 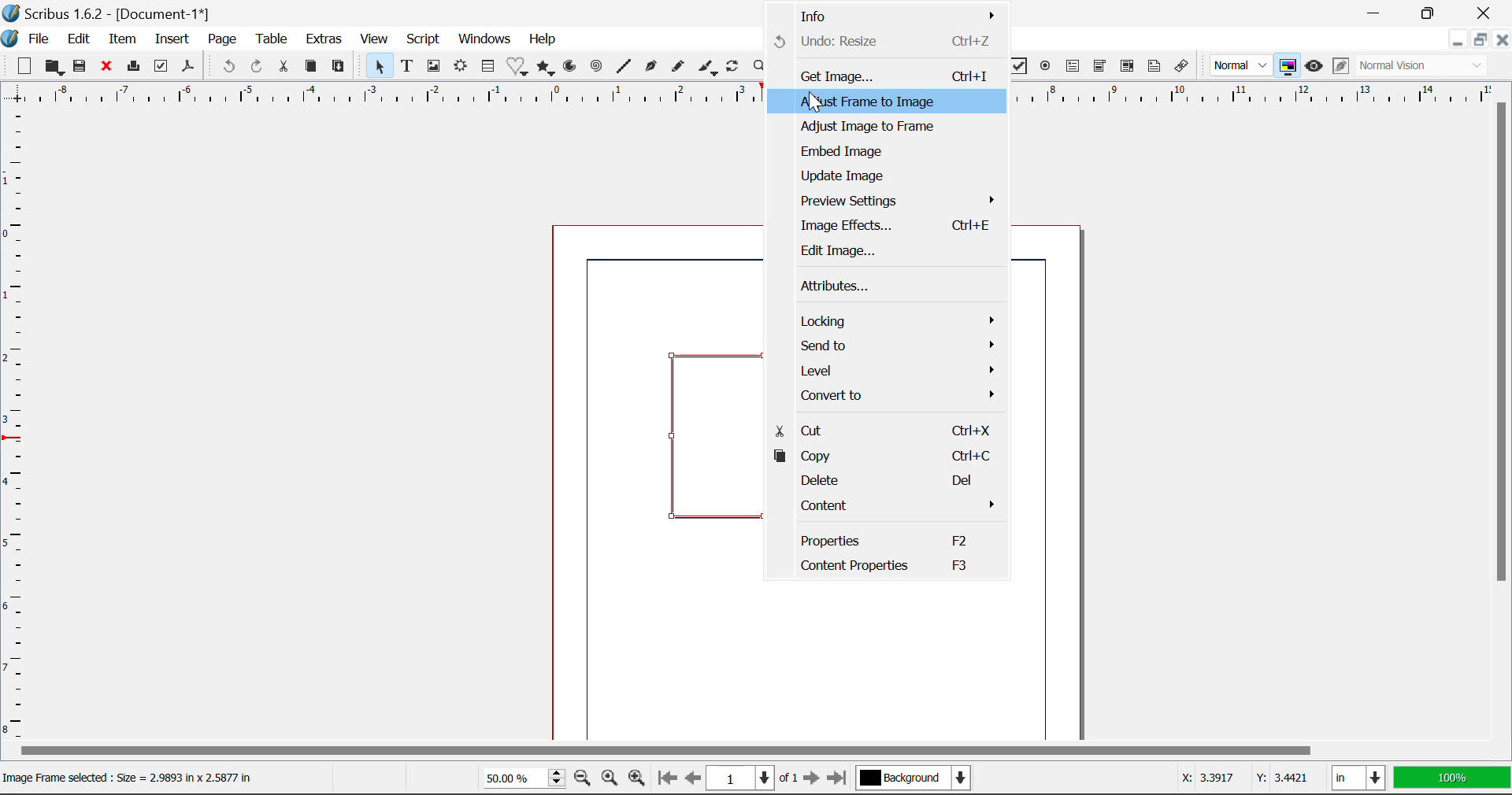 What do you see at coordinates (887, 507) in the screenshot?
I see `Content` at bounding box center [887, 507].